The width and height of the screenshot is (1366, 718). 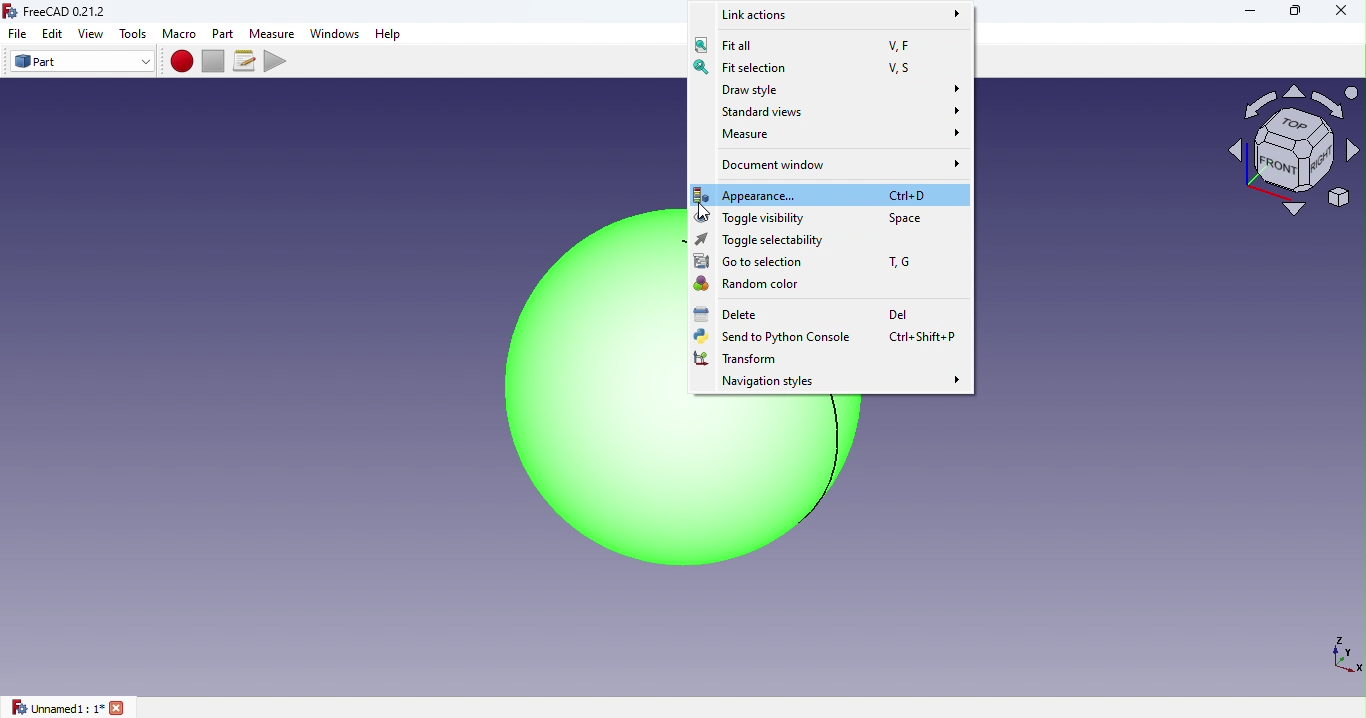 What do you see at coordinates (1295, 13) in the screenshot?
I see `Maximize` at bounding box center [1295, 13].